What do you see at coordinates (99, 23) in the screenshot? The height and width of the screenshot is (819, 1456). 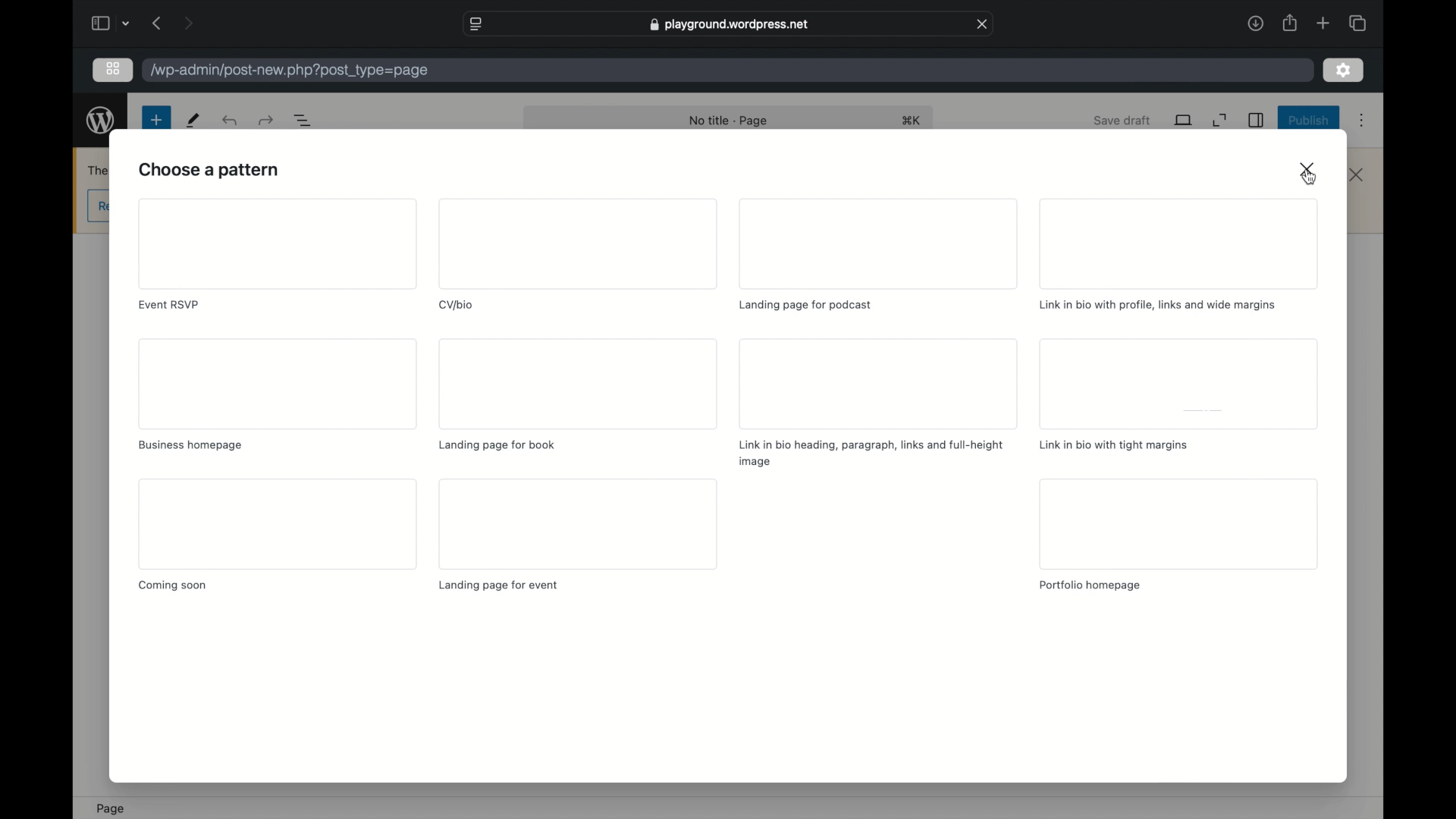 I see `sidebar` at bounding box center [99, 23].